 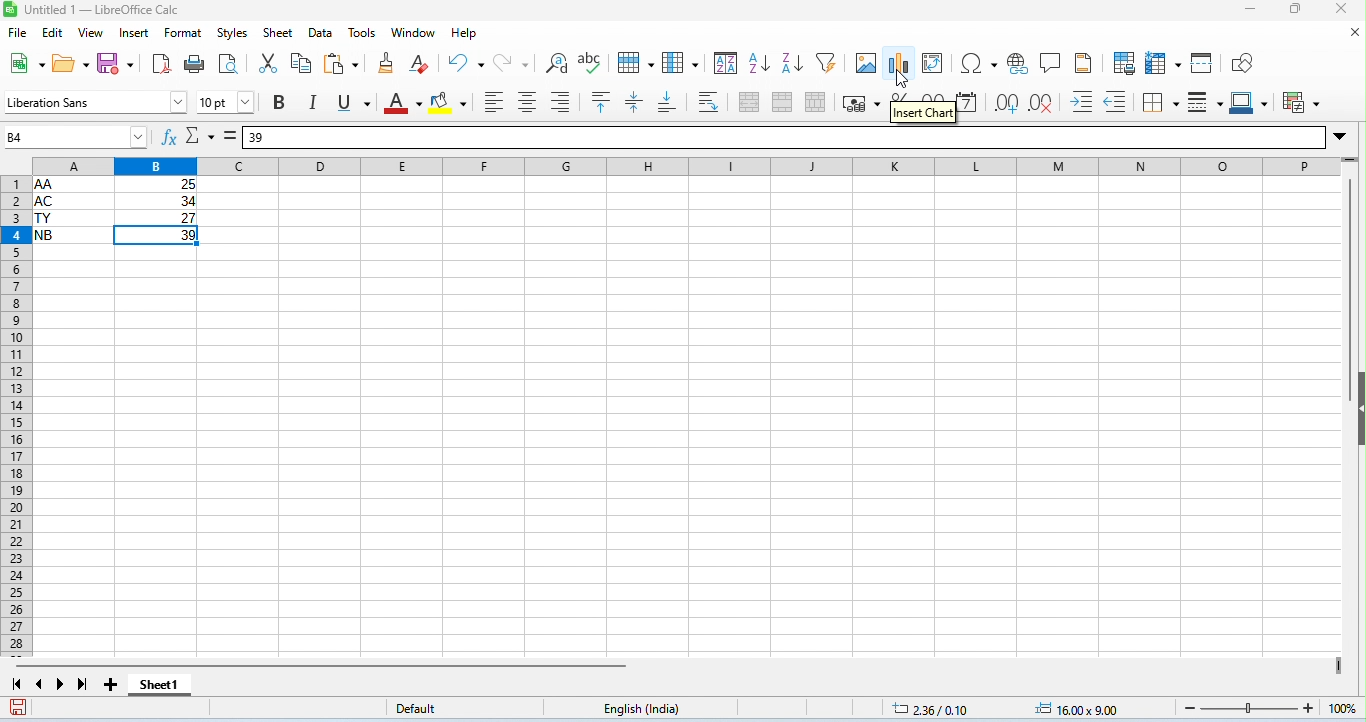 I want to click on untitled 1- libreoffice calc, so click(x=92, y=11).